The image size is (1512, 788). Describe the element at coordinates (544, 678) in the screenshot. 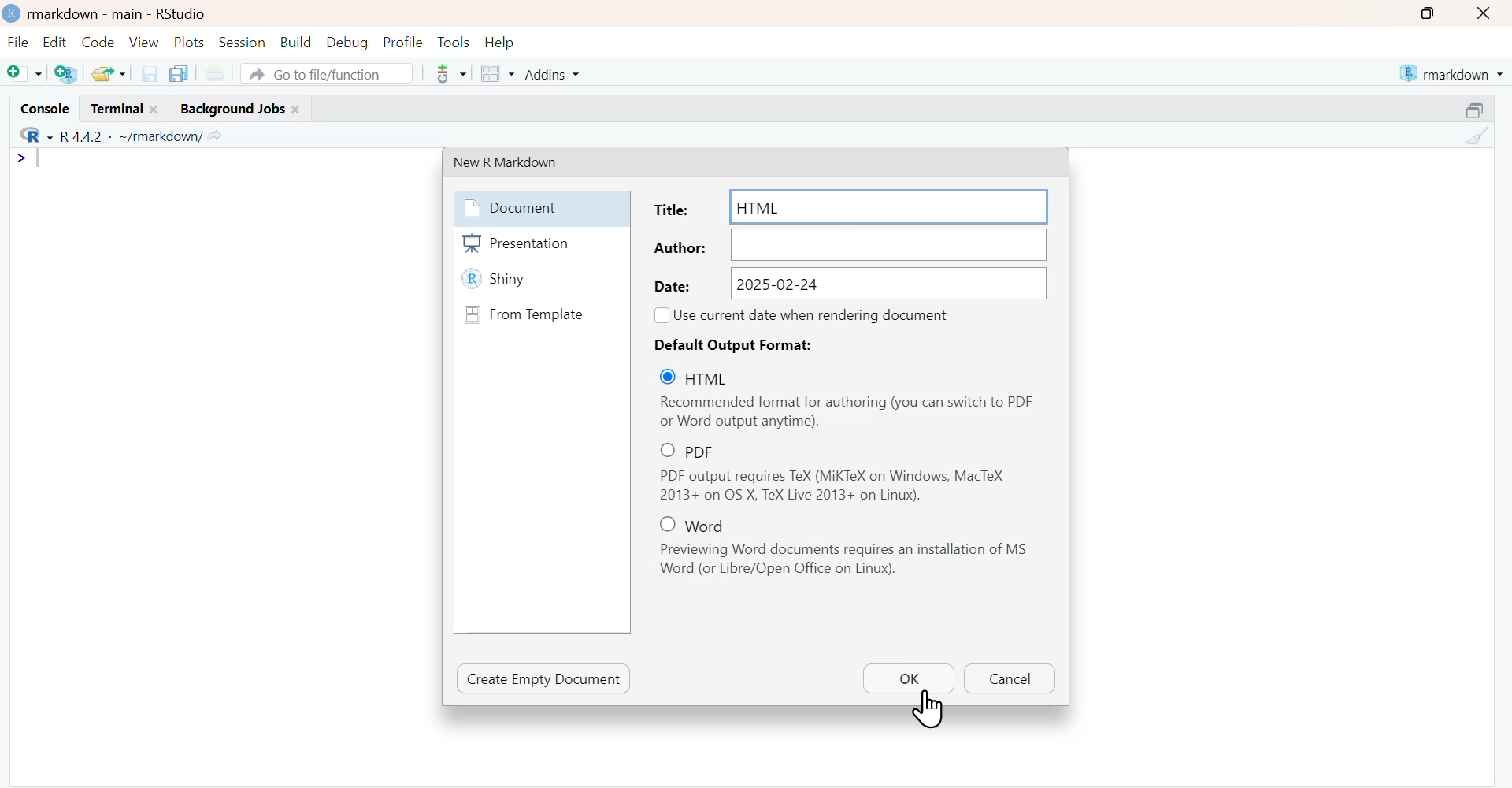

I see `Create Empty Document` at that location.